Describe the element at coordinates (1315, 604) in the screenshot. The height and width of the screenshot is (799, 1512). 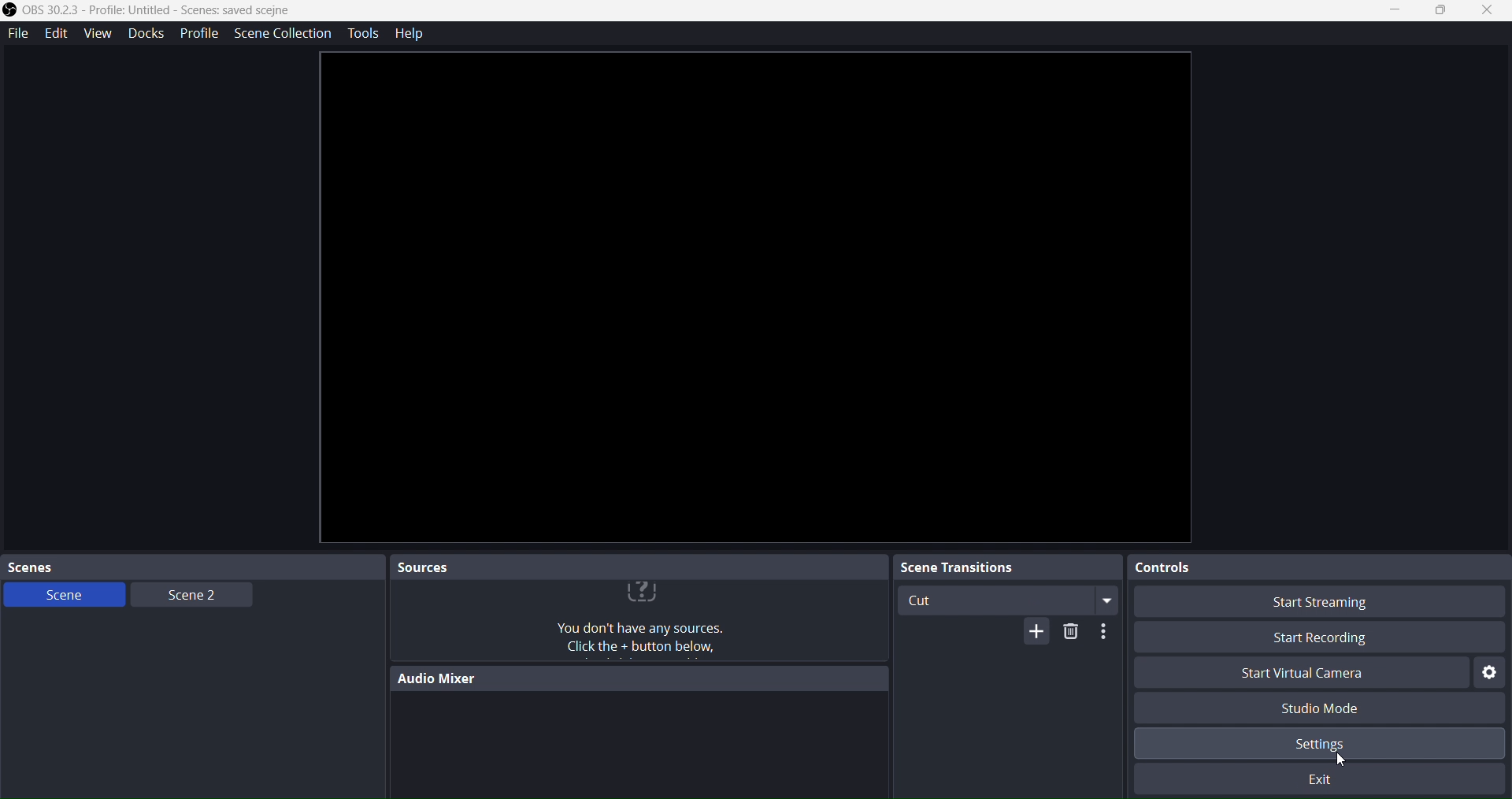
I see `Start Streaming` at that location.